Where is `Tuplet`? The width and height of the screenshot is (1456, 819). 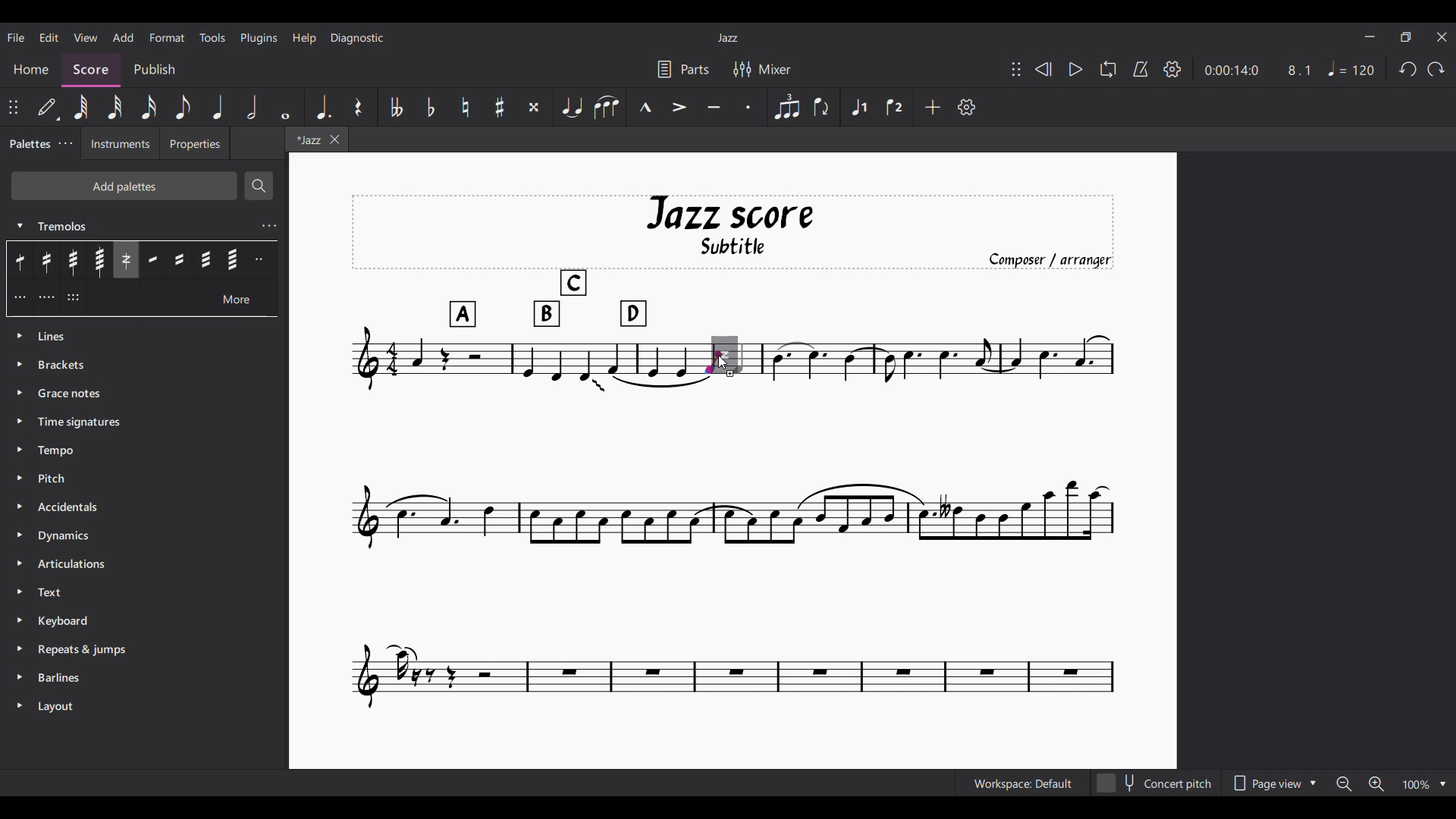 Tuplet is located at coordinates (787, 106).